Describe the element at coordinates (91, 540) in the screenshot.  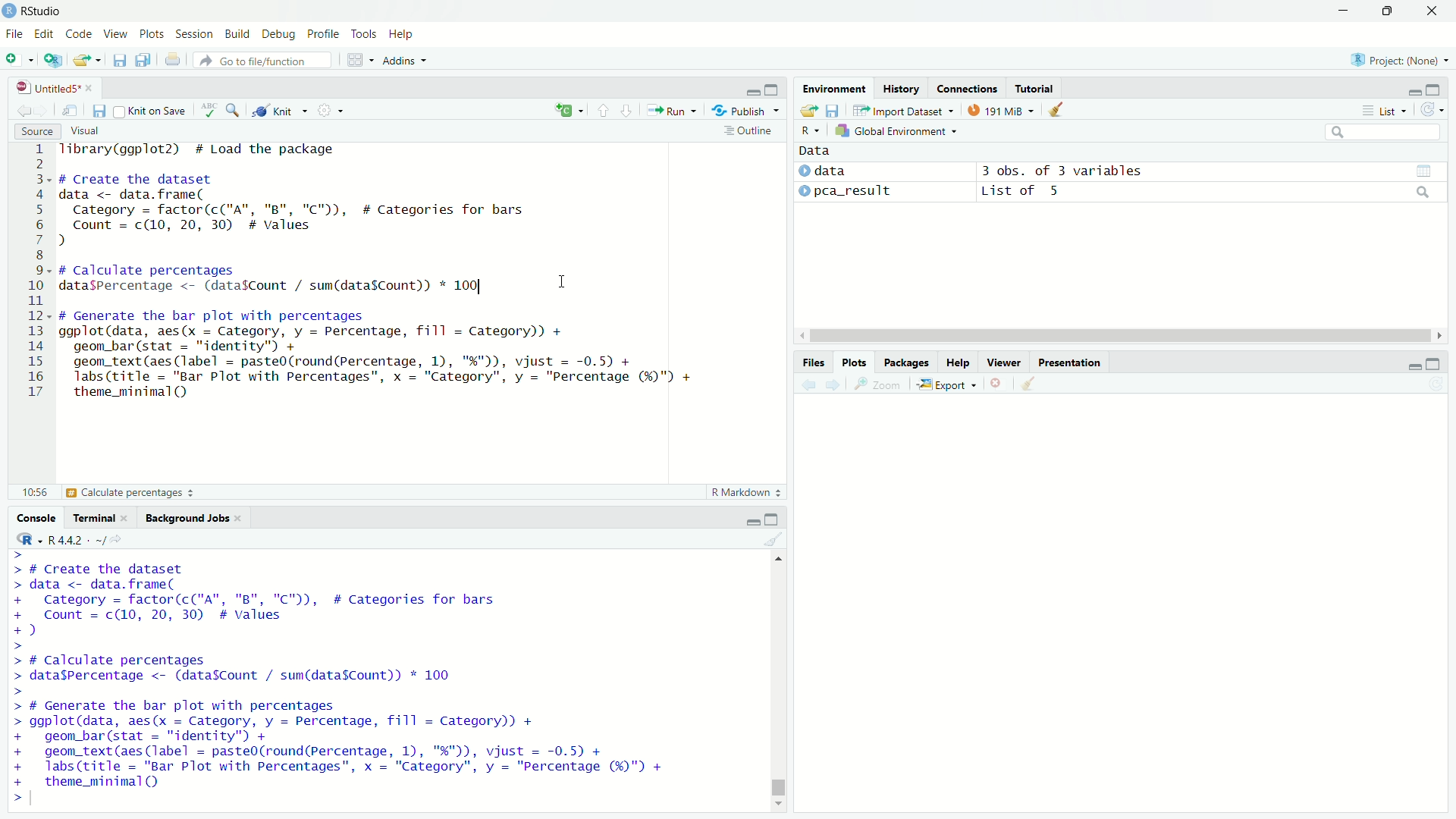
I see `R language version - R4.4.2` at that location.